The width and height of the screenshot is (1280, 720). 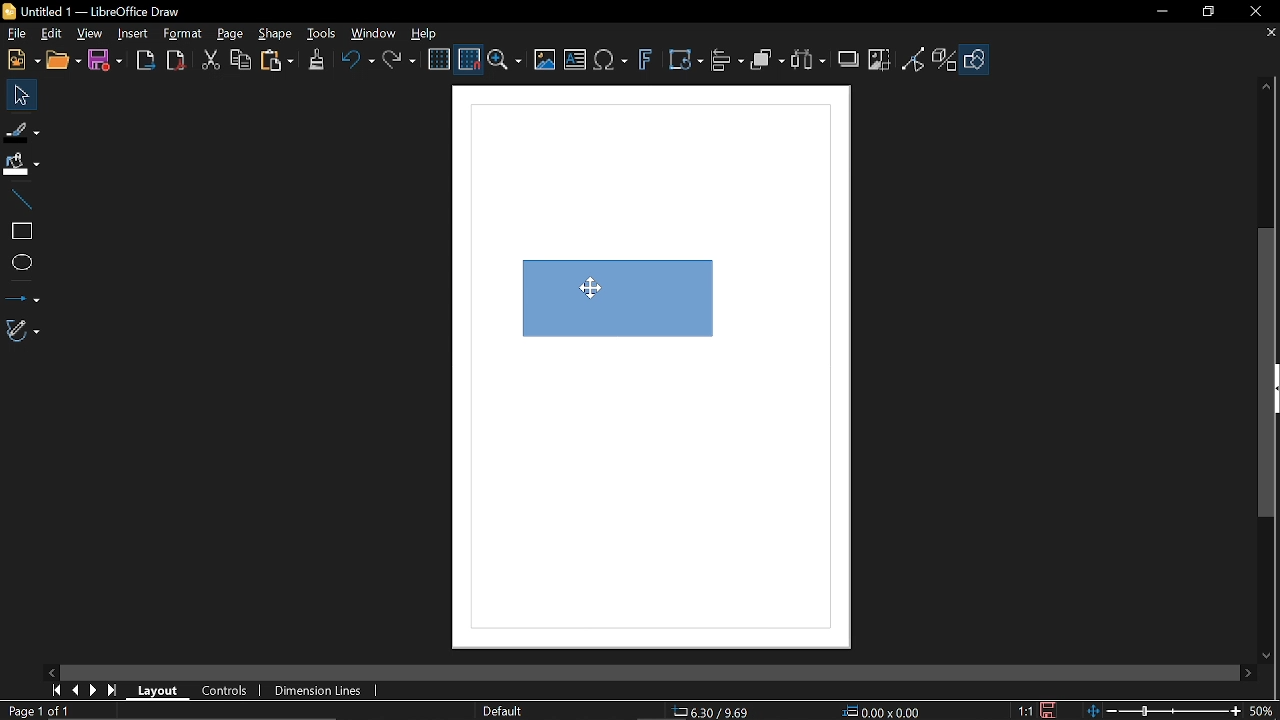 What do you see at coordinates (21, 128) in the screenshot?
I see `line color` at bounding box center [21, 128].